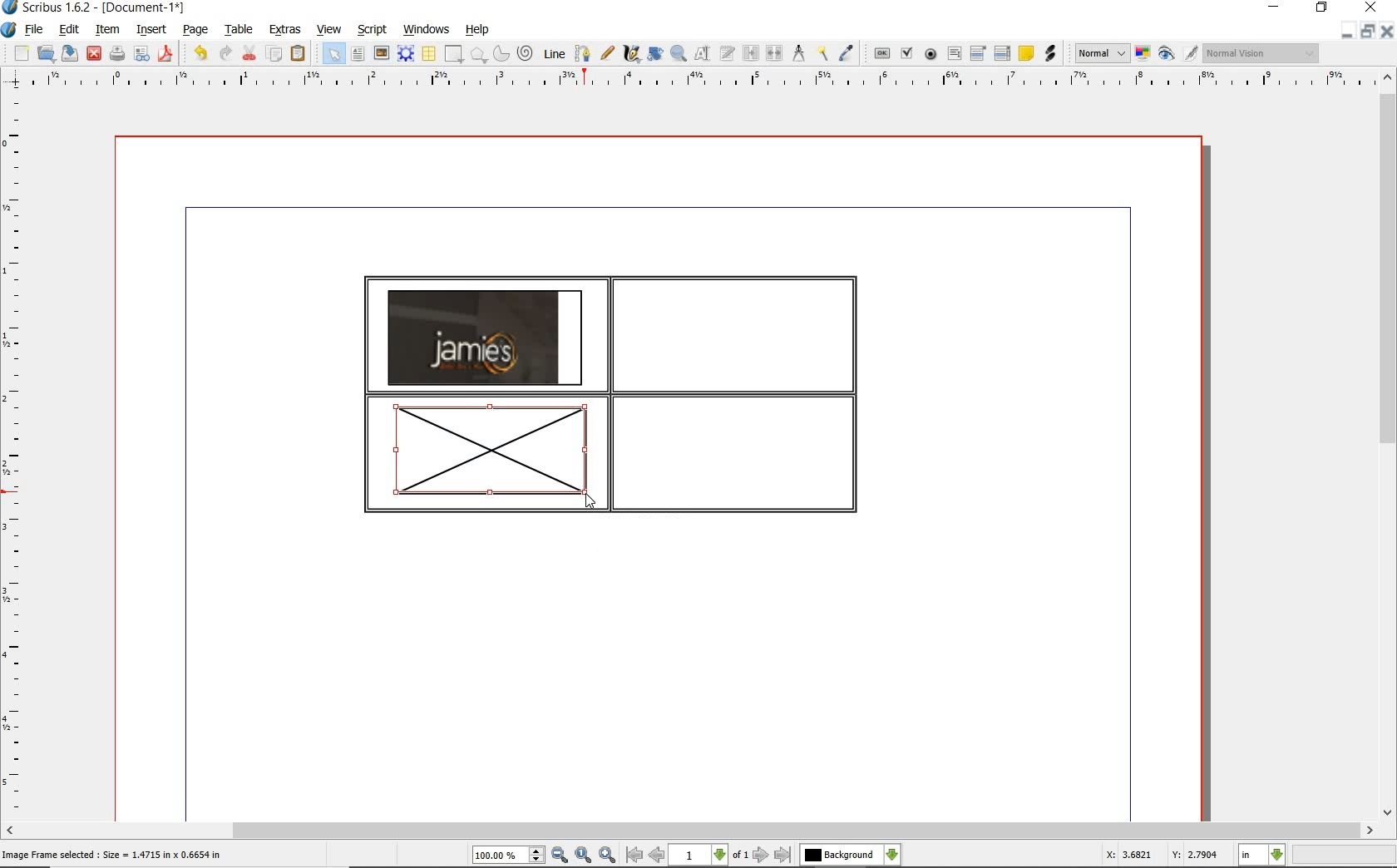 Image resolution: width=1397 pixels, height=868 pixels. Describe the element at coordinates (165, 53) in the screenshot. I see `save as pdf` at that location.